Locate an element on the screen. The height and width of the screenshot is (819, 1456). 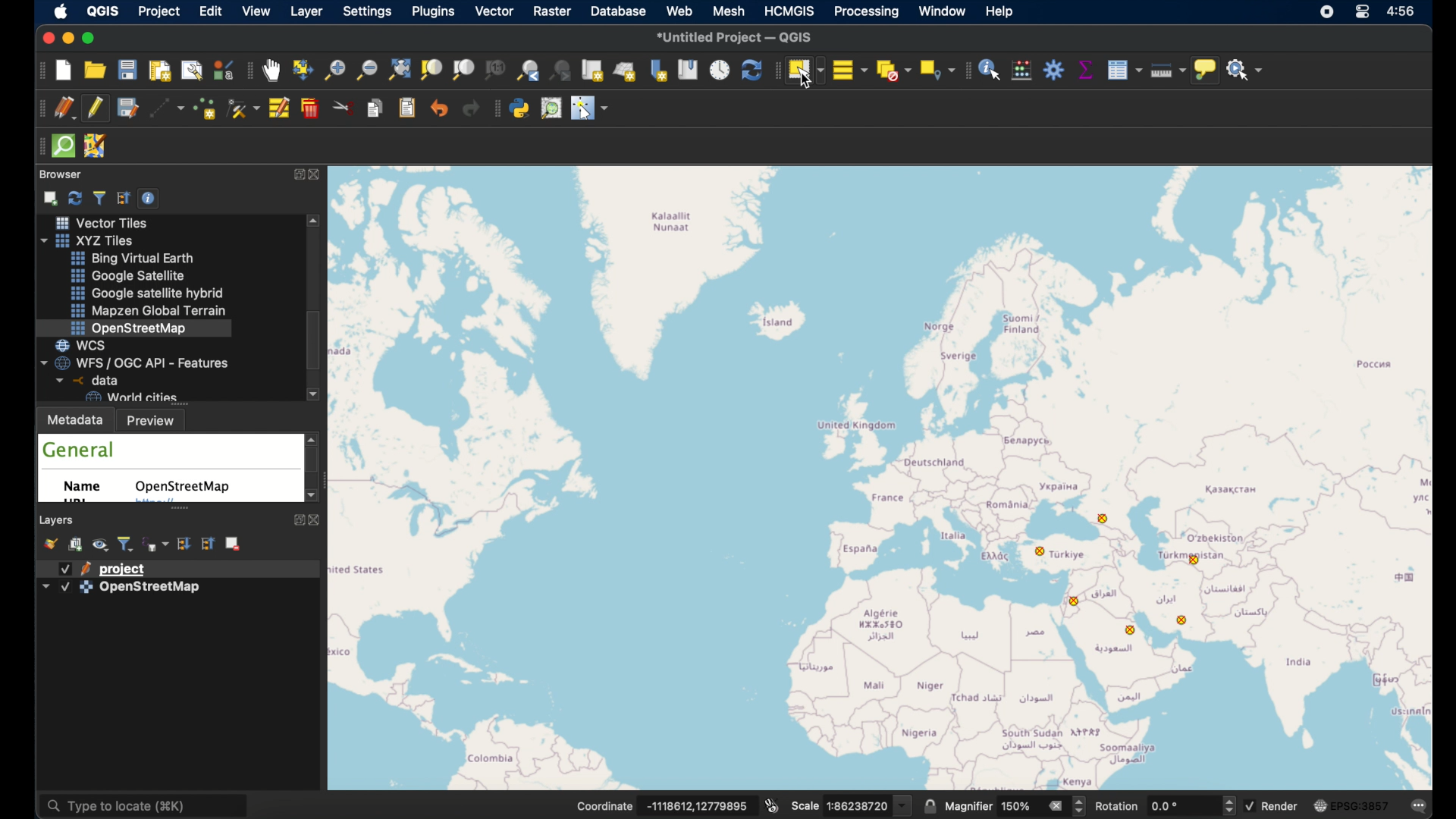
zoom to selection is located at coordinates (435, 70).